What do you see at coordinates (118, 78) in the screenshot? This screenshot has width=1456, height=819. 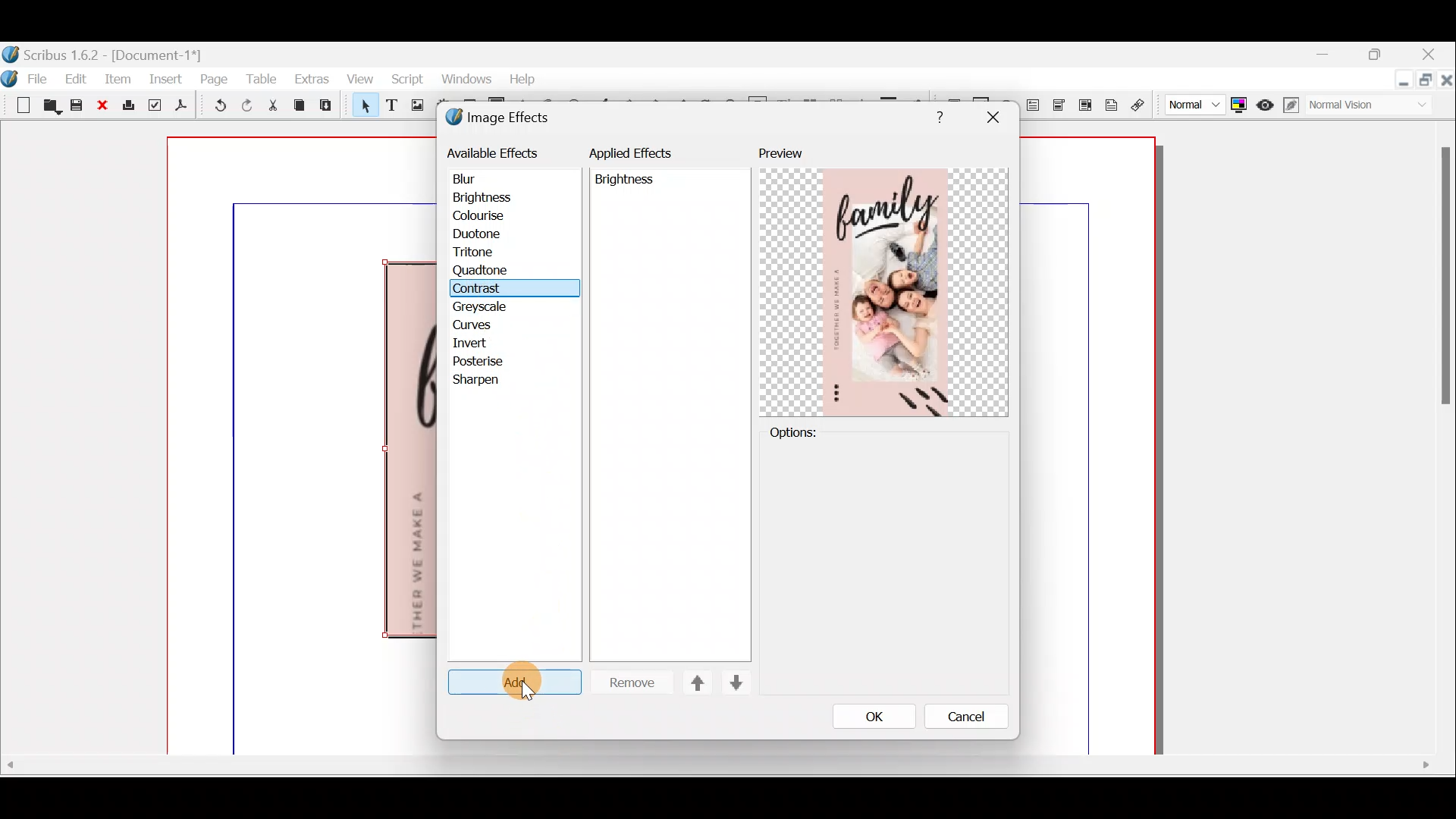 I see `Item` at bounding box center [118, 78].